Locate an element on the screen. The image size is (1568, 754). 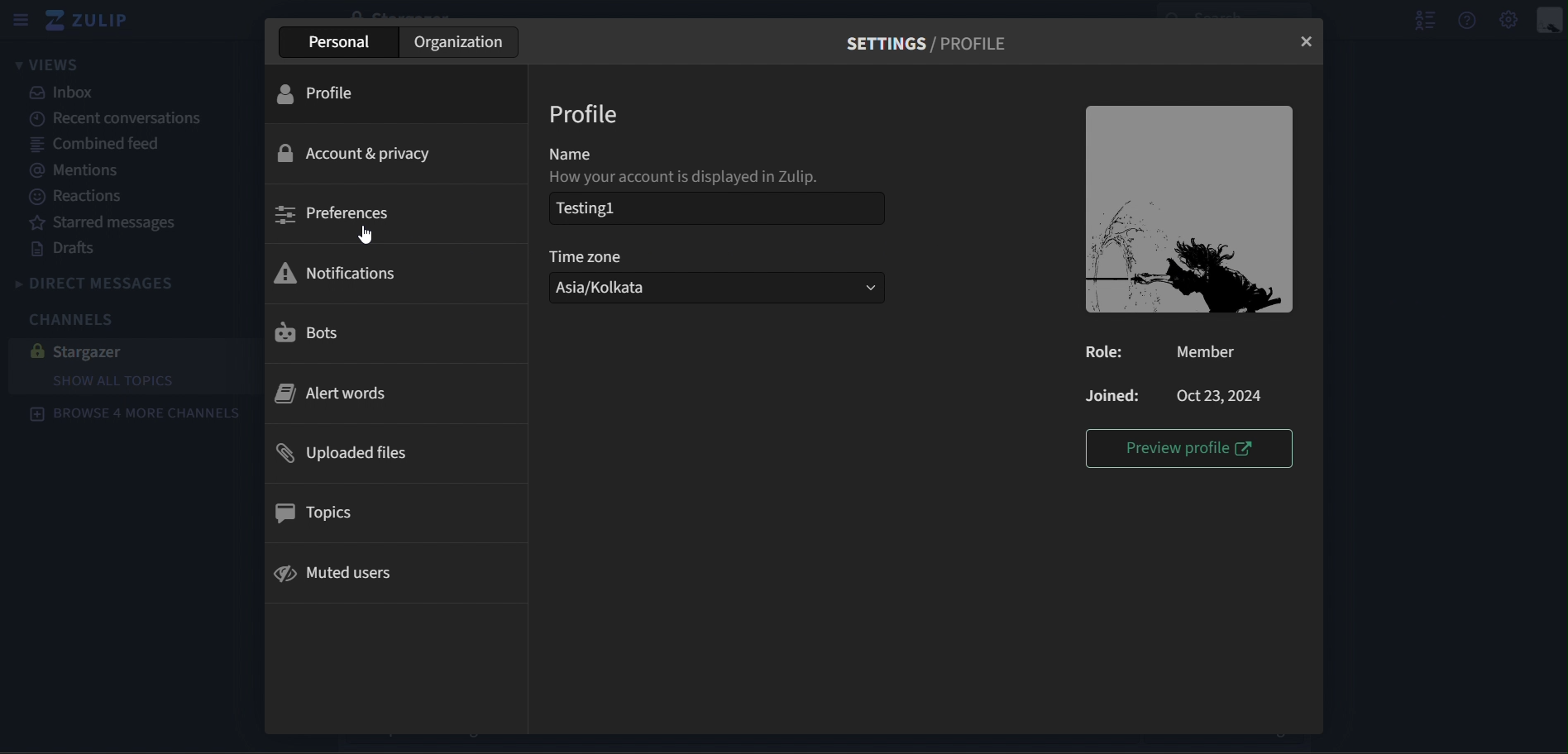
views is located at coordinates (48, 64).